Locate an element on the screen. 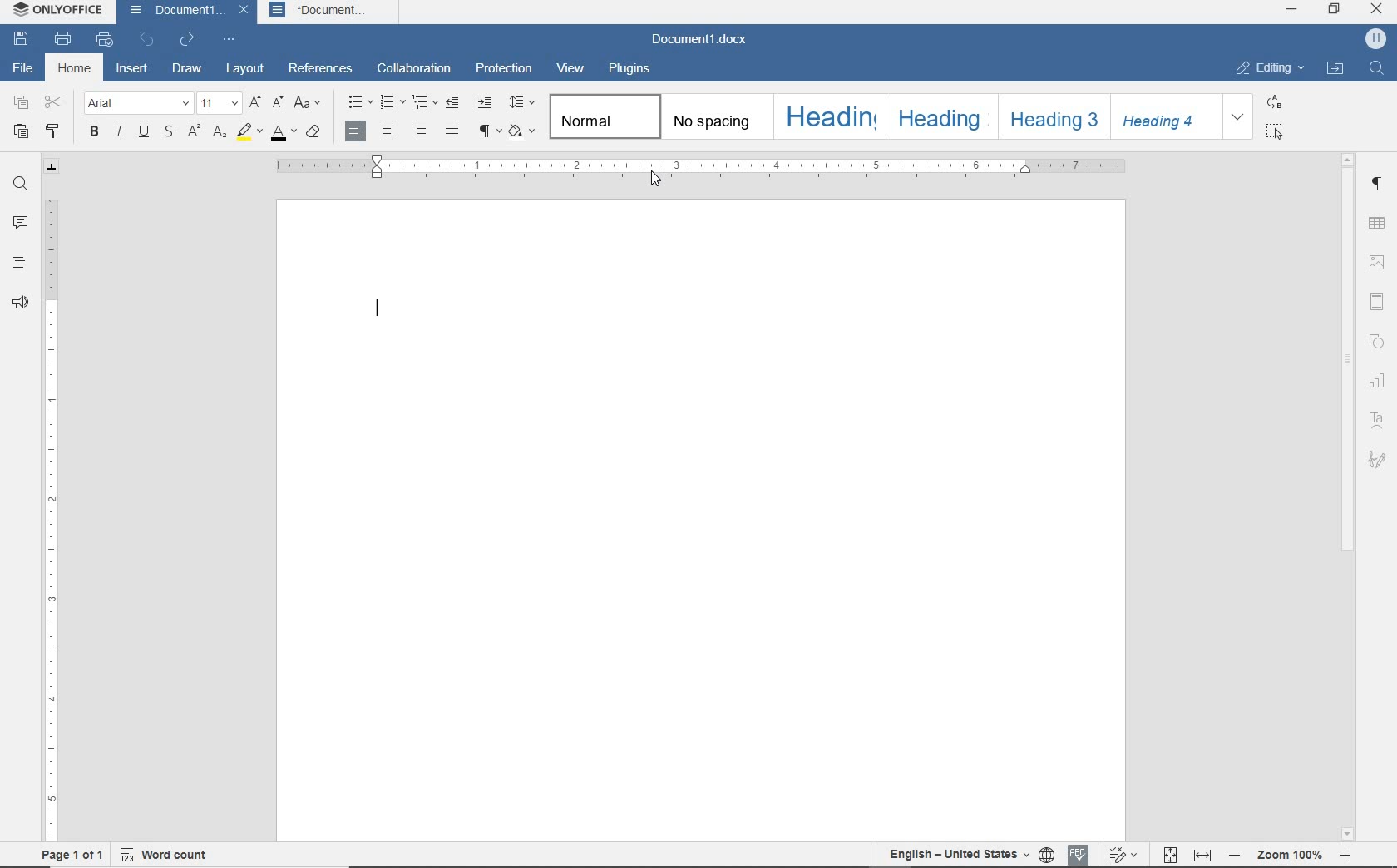  HEADING 3 is located at coordinates (1051, 117).